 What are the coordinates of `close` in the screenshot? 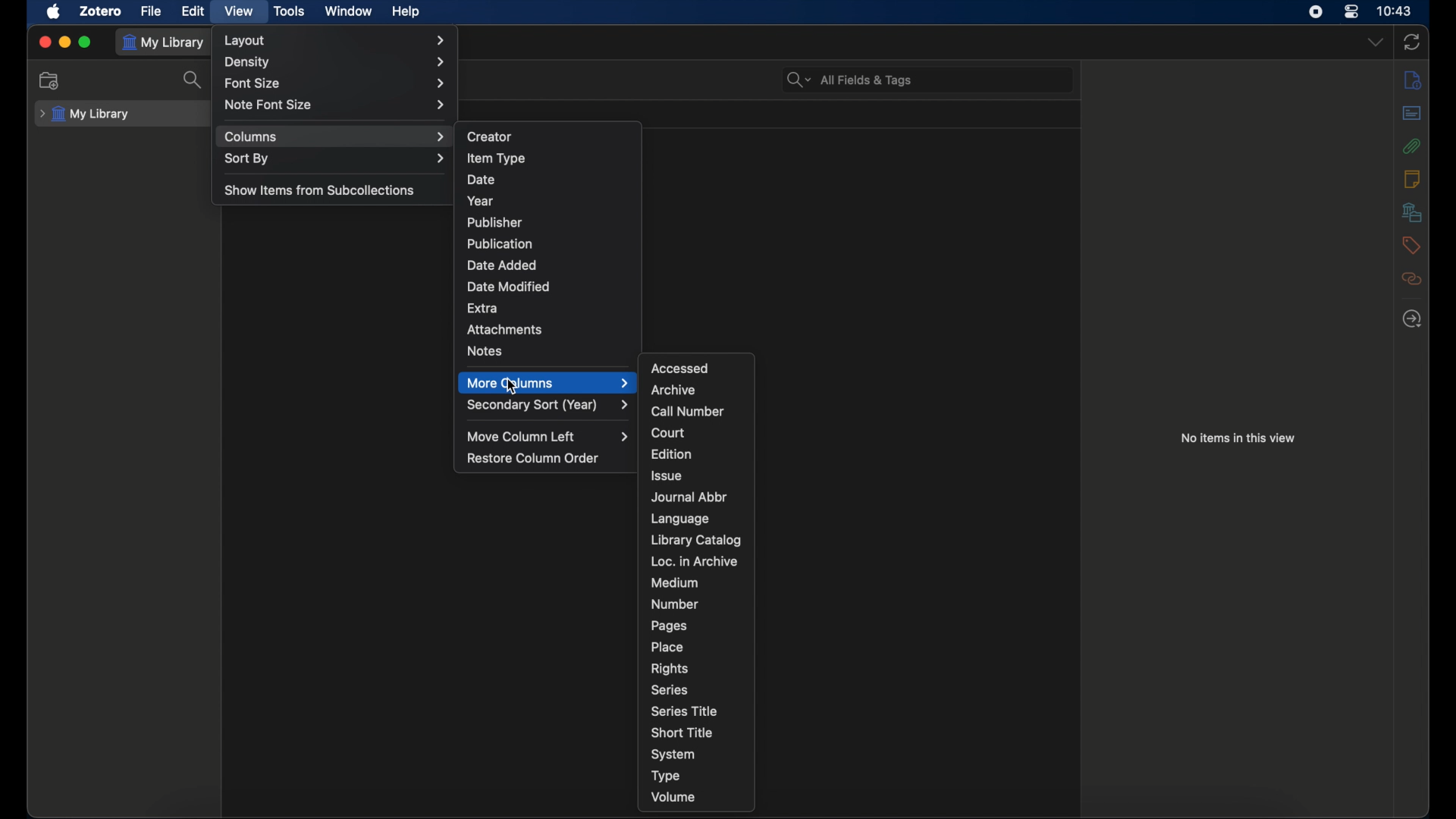 It's located at (45, 41).